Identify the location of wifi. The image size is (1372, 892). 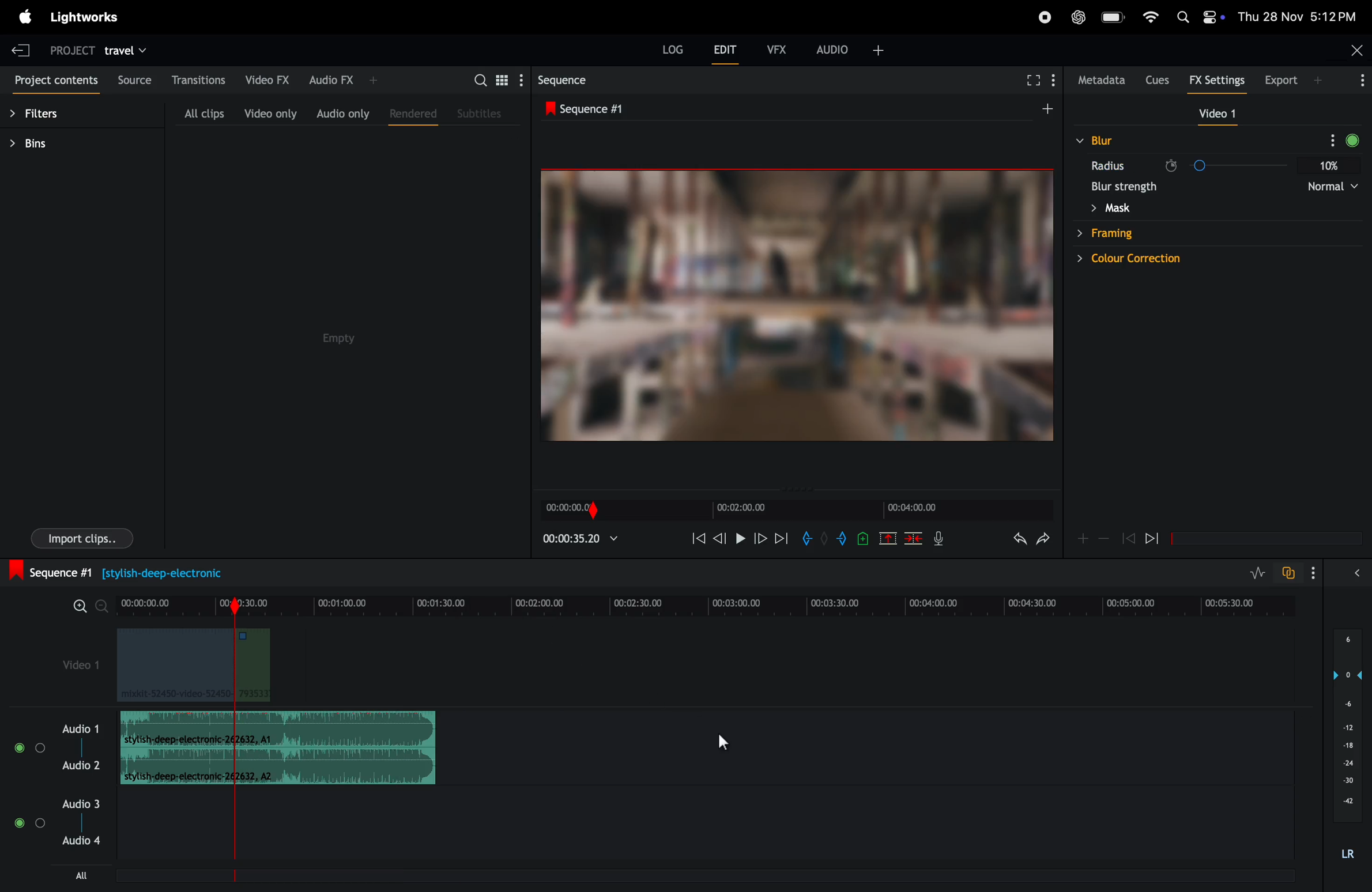
(1151, 16).